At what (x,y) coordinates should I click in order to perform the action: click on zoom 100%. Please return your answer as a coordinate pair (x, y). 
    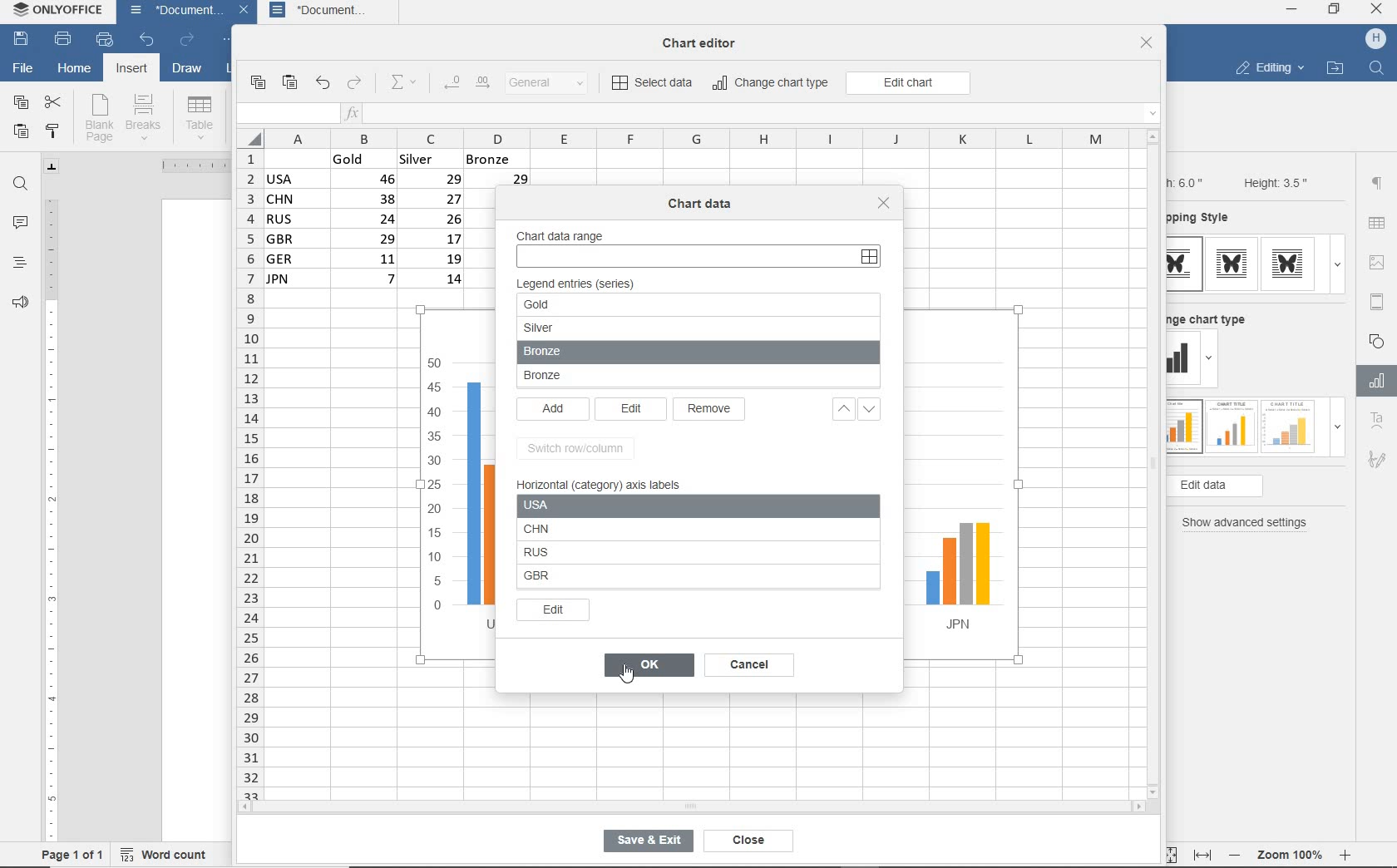
    Looking at the image, I should click on (1293, 852).